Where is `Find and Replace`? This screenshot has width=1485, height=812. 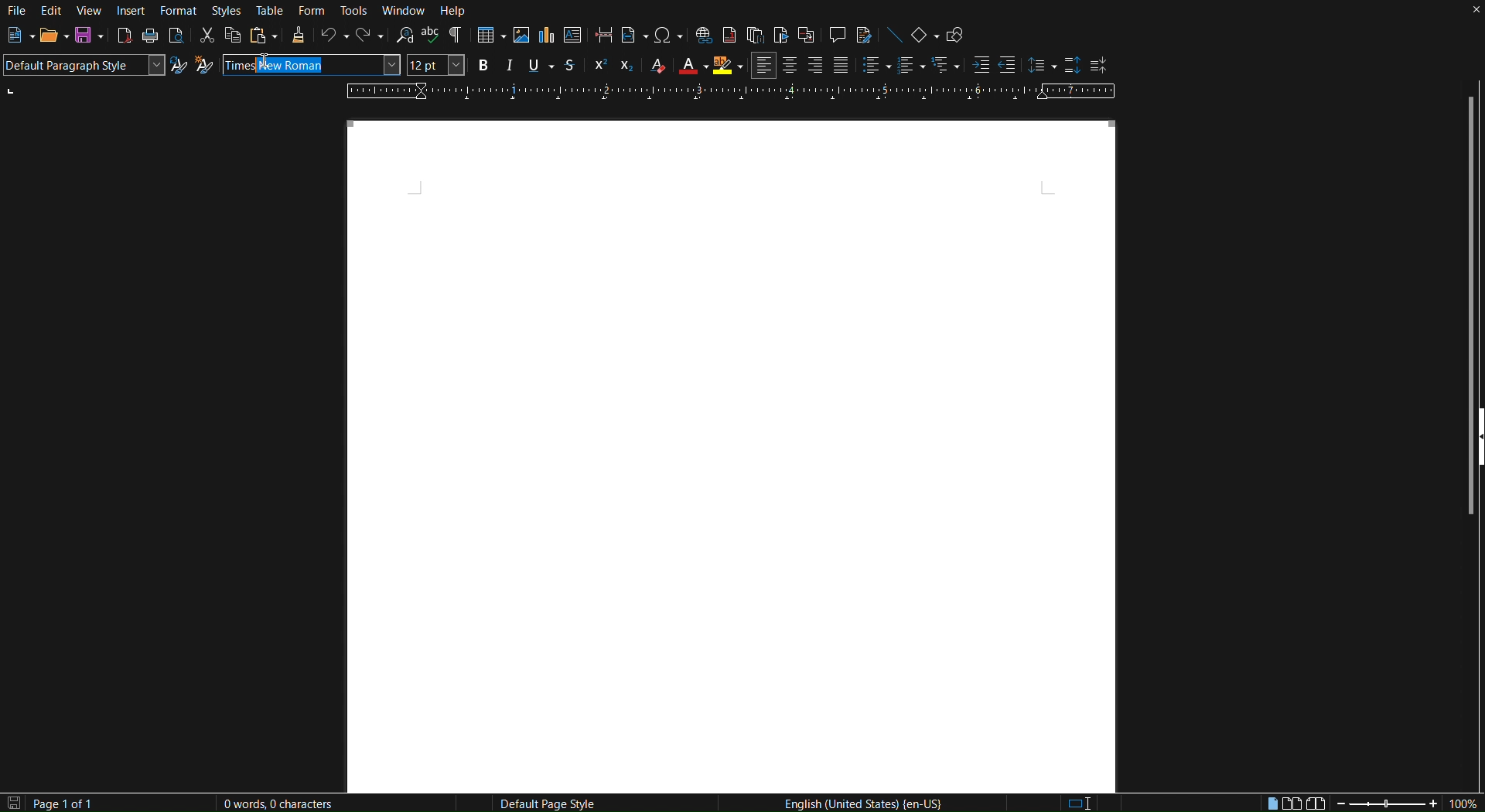
Find and Replace is located at coordinates (404, 38).